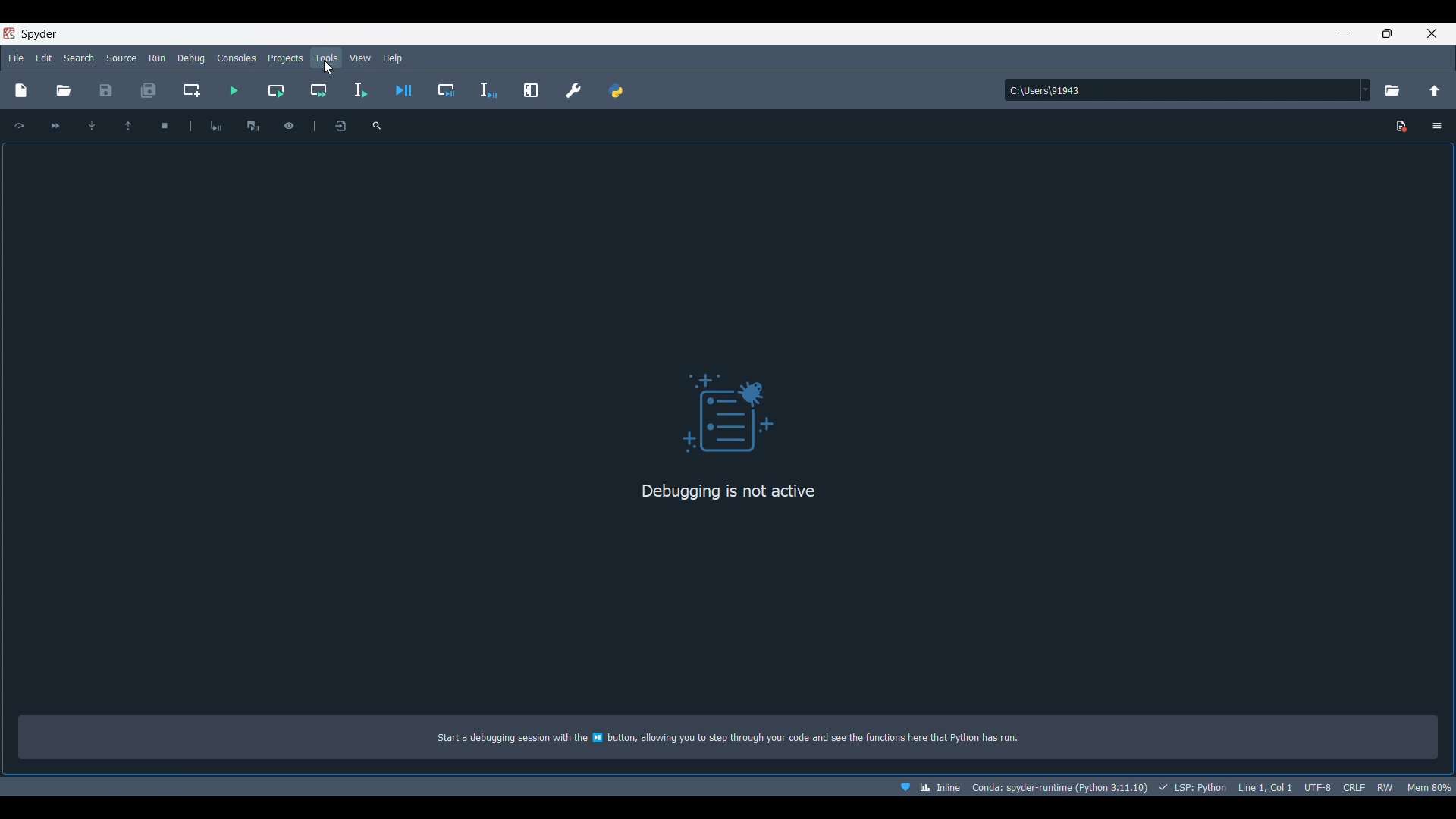  I want to click on Software logo and name, so click(31, 33).